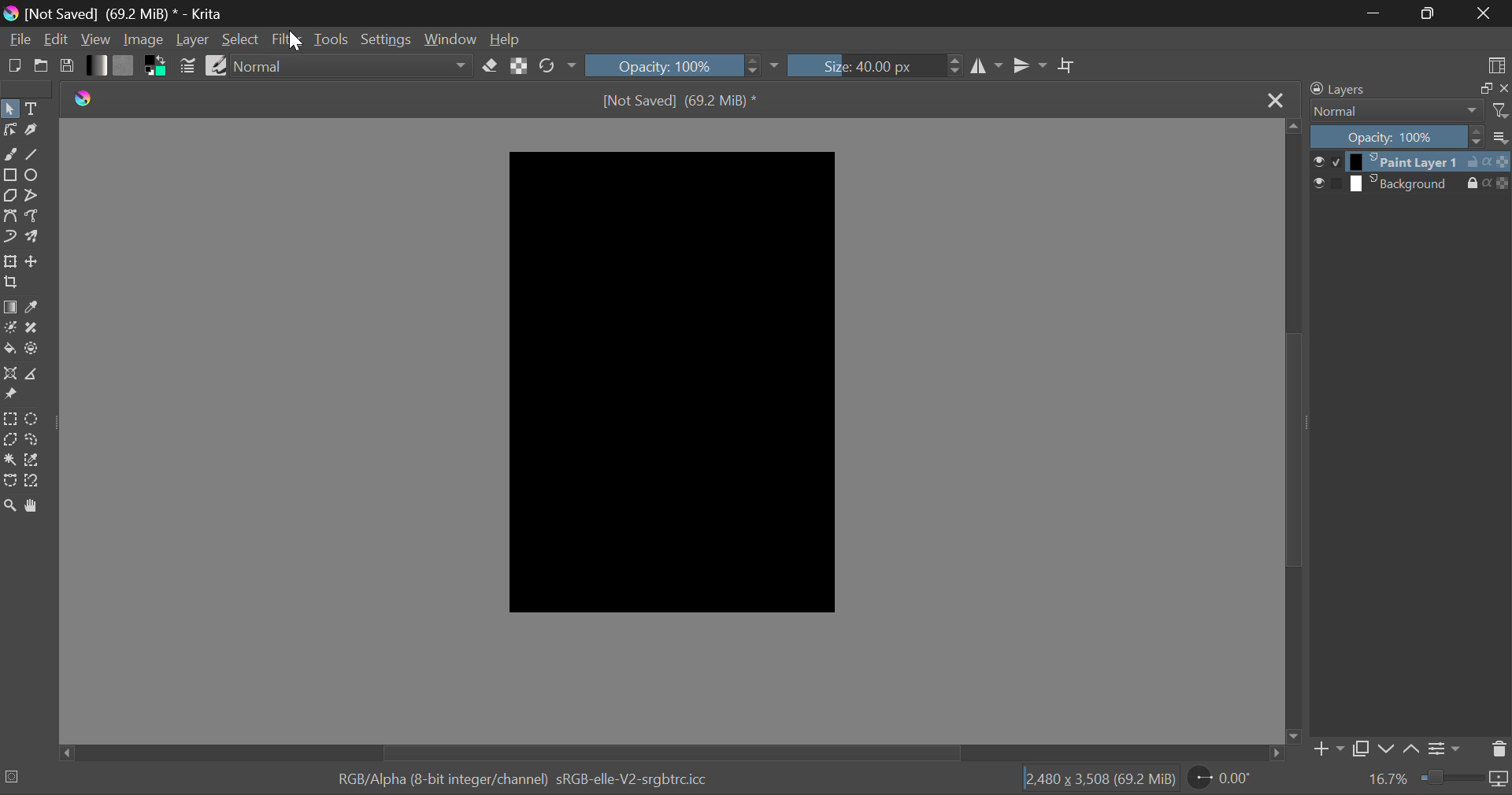  What do you see at coordinates (9, 348) in the screenshot?
I see `Fill` at bounding box center [9, 348].